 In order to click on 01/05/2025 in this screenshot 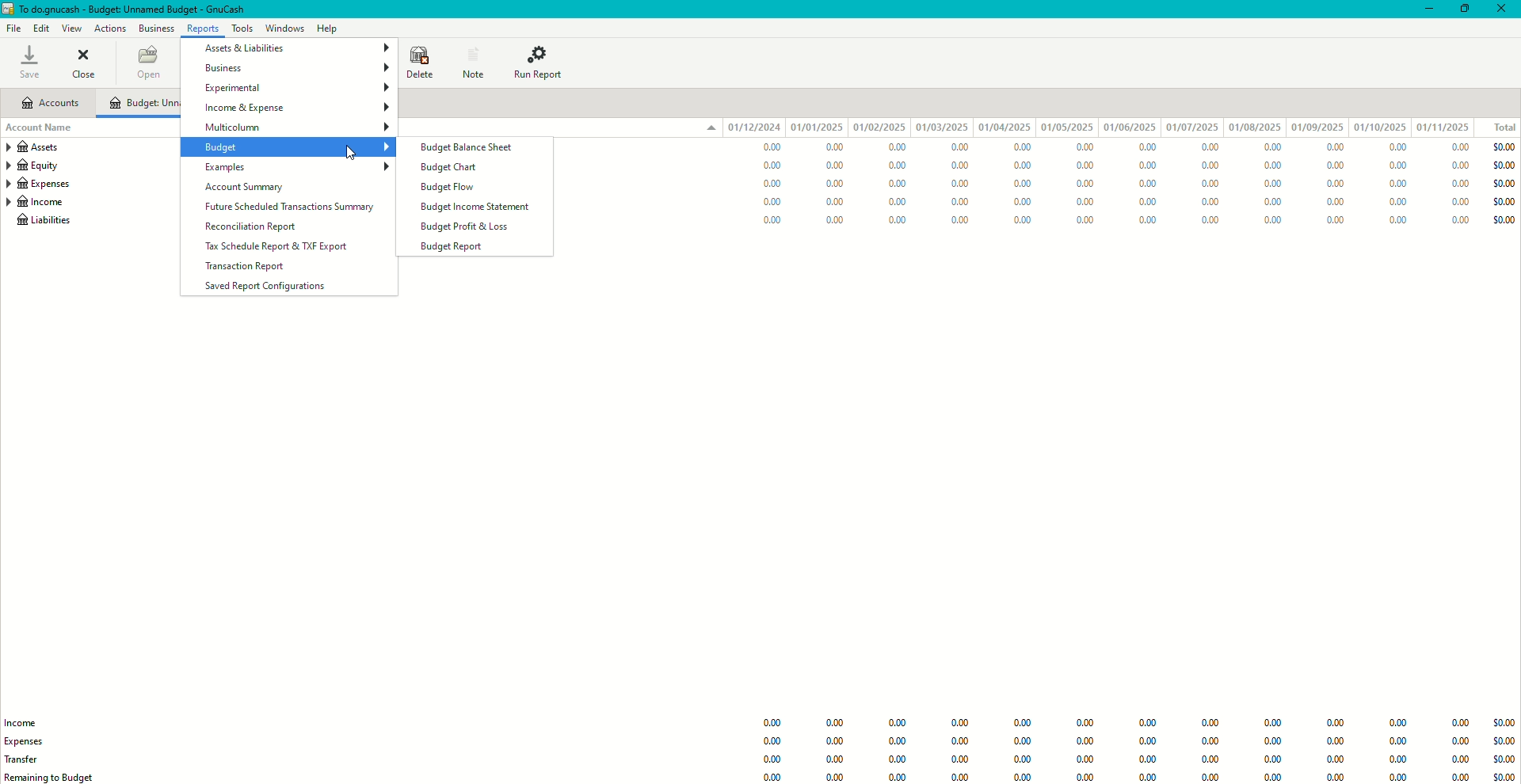, I will do `click(1065, 127)`.